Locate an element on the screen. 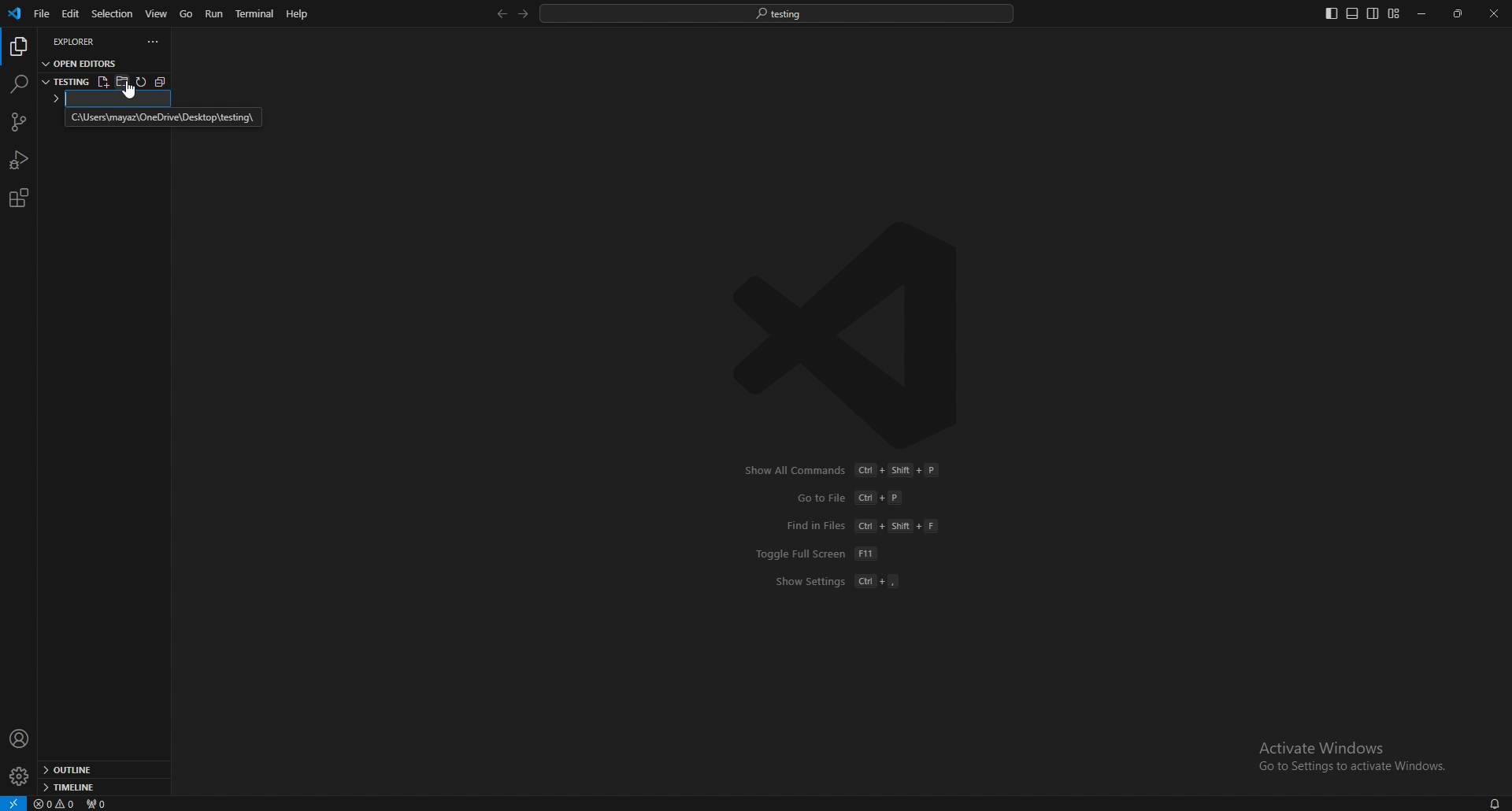 This screenshot has height=811, width=1512. vscode is located at coordinates (16, 13).